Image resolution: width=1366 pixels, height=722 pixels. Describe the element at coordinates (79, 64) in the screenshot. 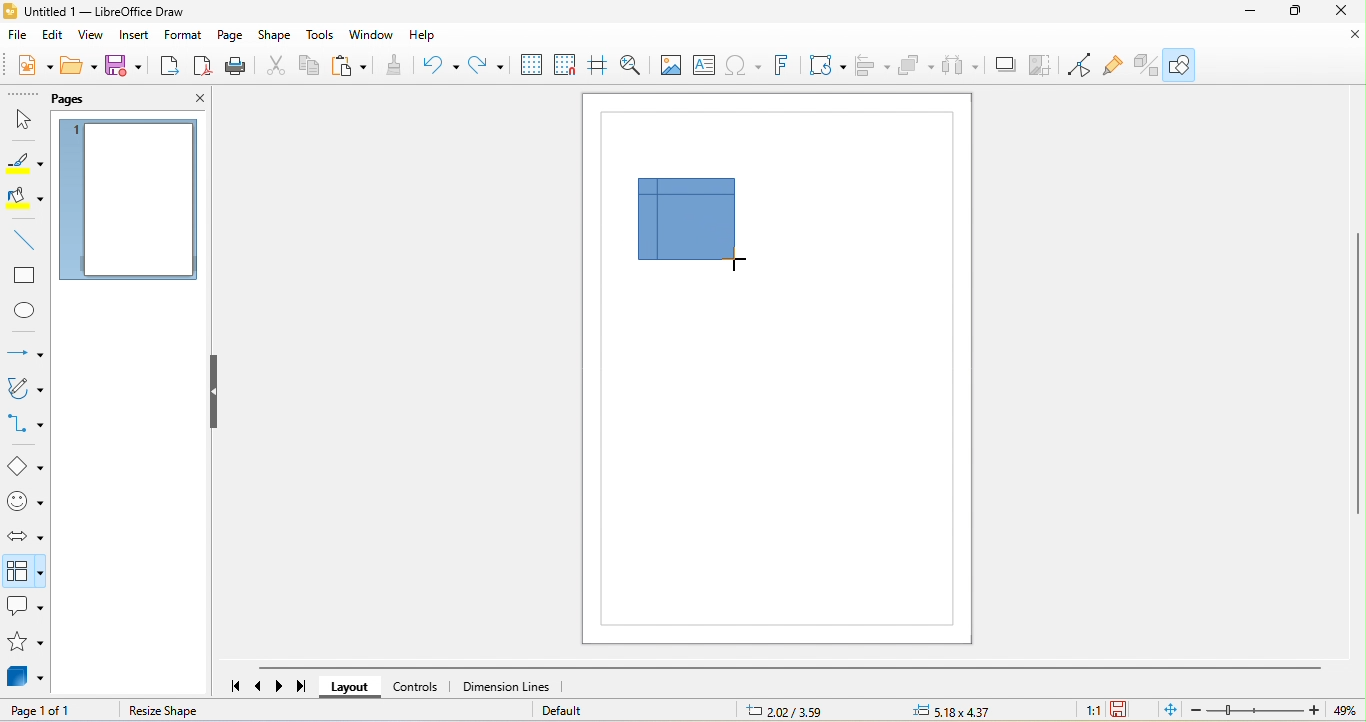

I see `open` at that location.